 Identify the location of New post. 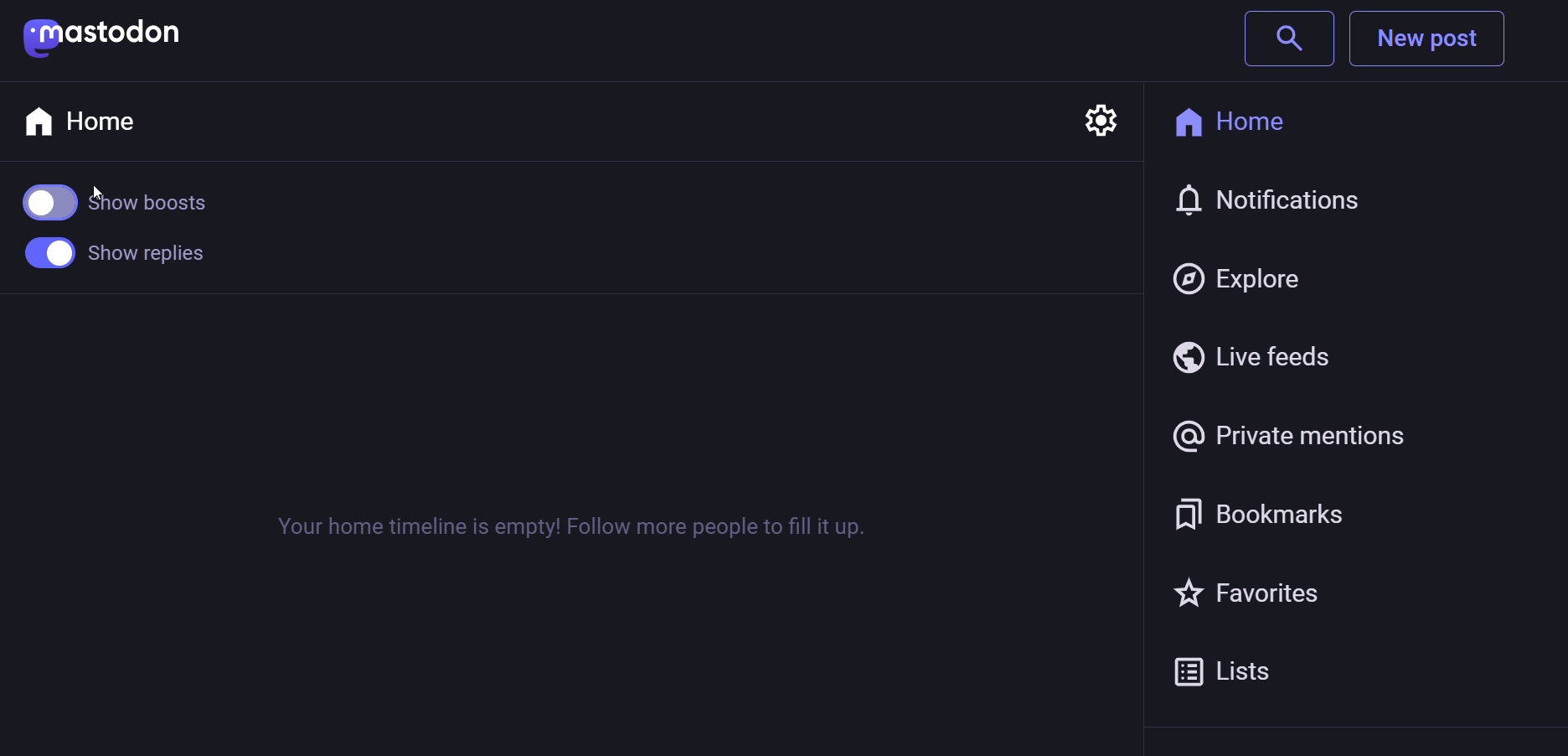
(1428, 40).